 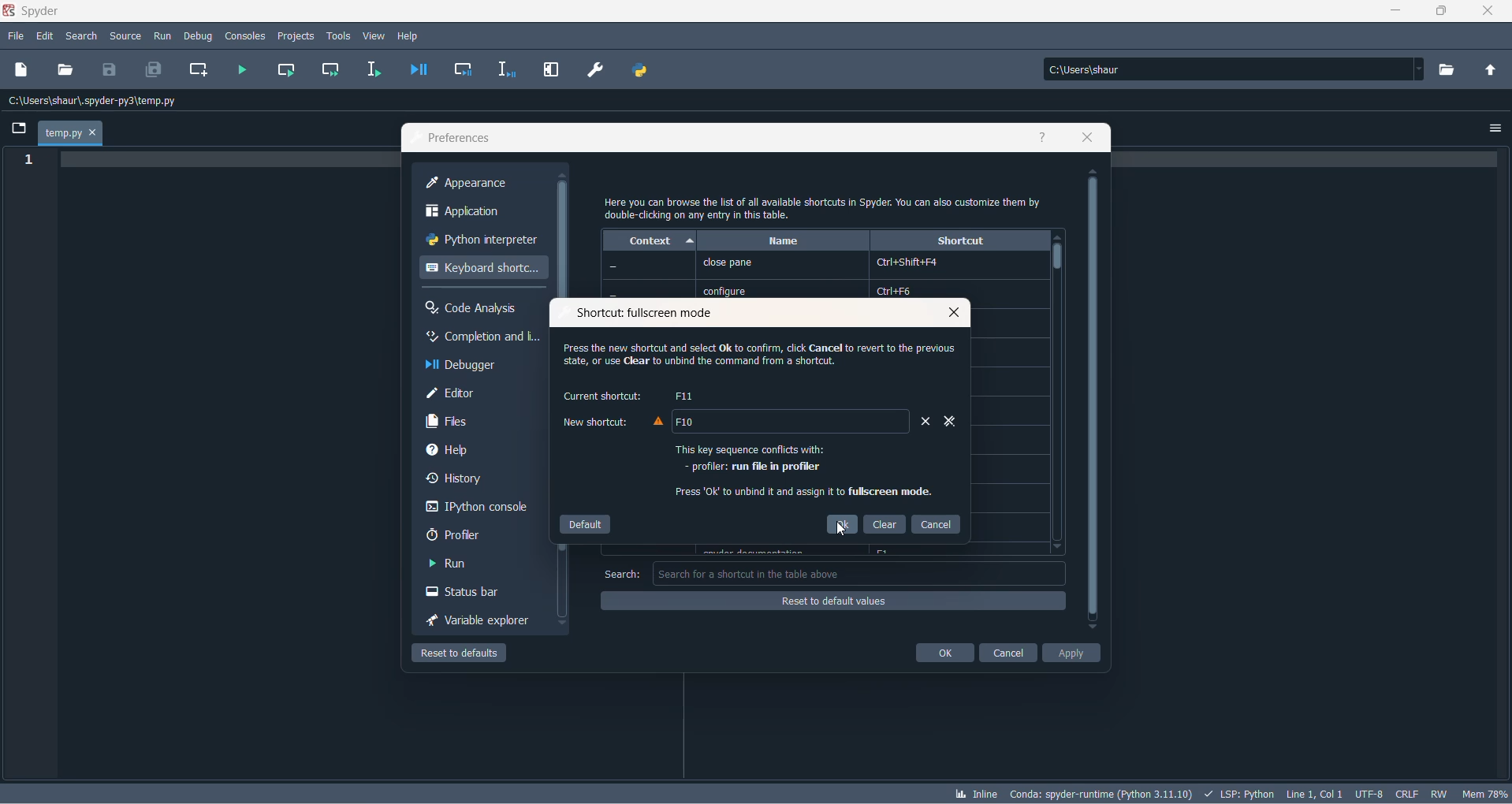 I want to click on slider, so click(x=1057, y=262).